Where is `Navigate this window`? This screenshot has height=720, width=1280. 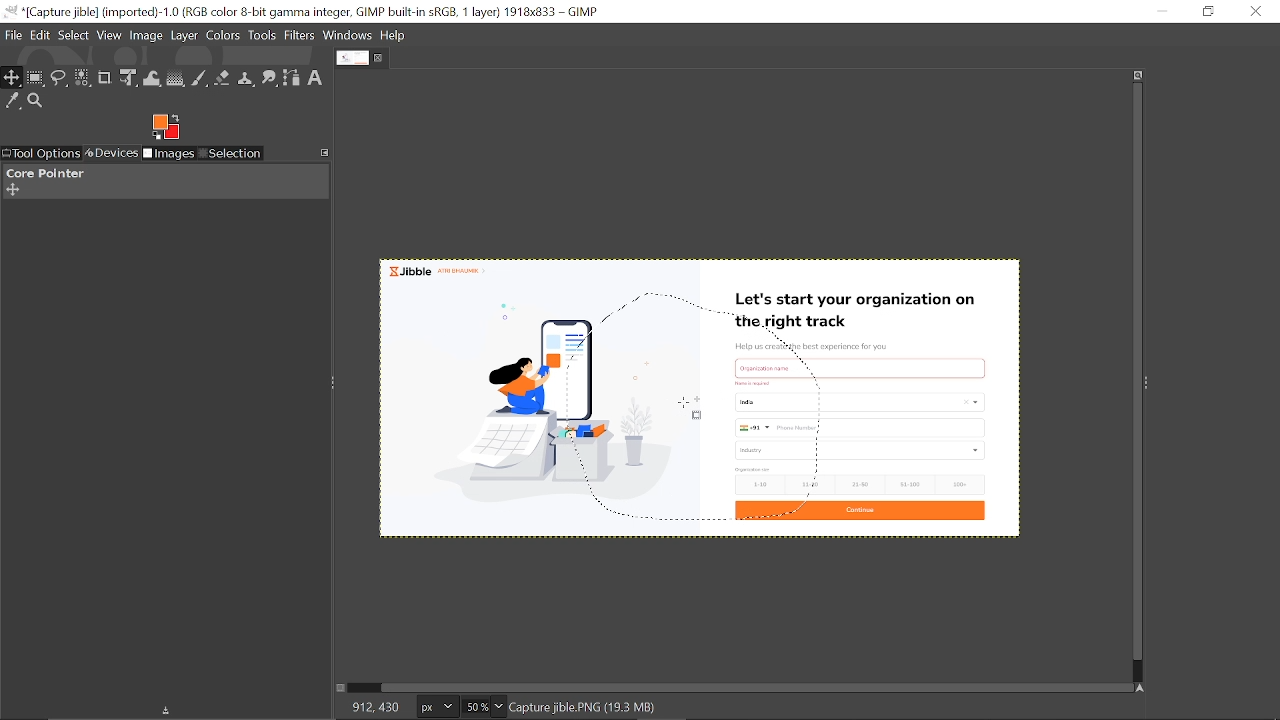
Navigate this window is located at coordinates (1144, 688).